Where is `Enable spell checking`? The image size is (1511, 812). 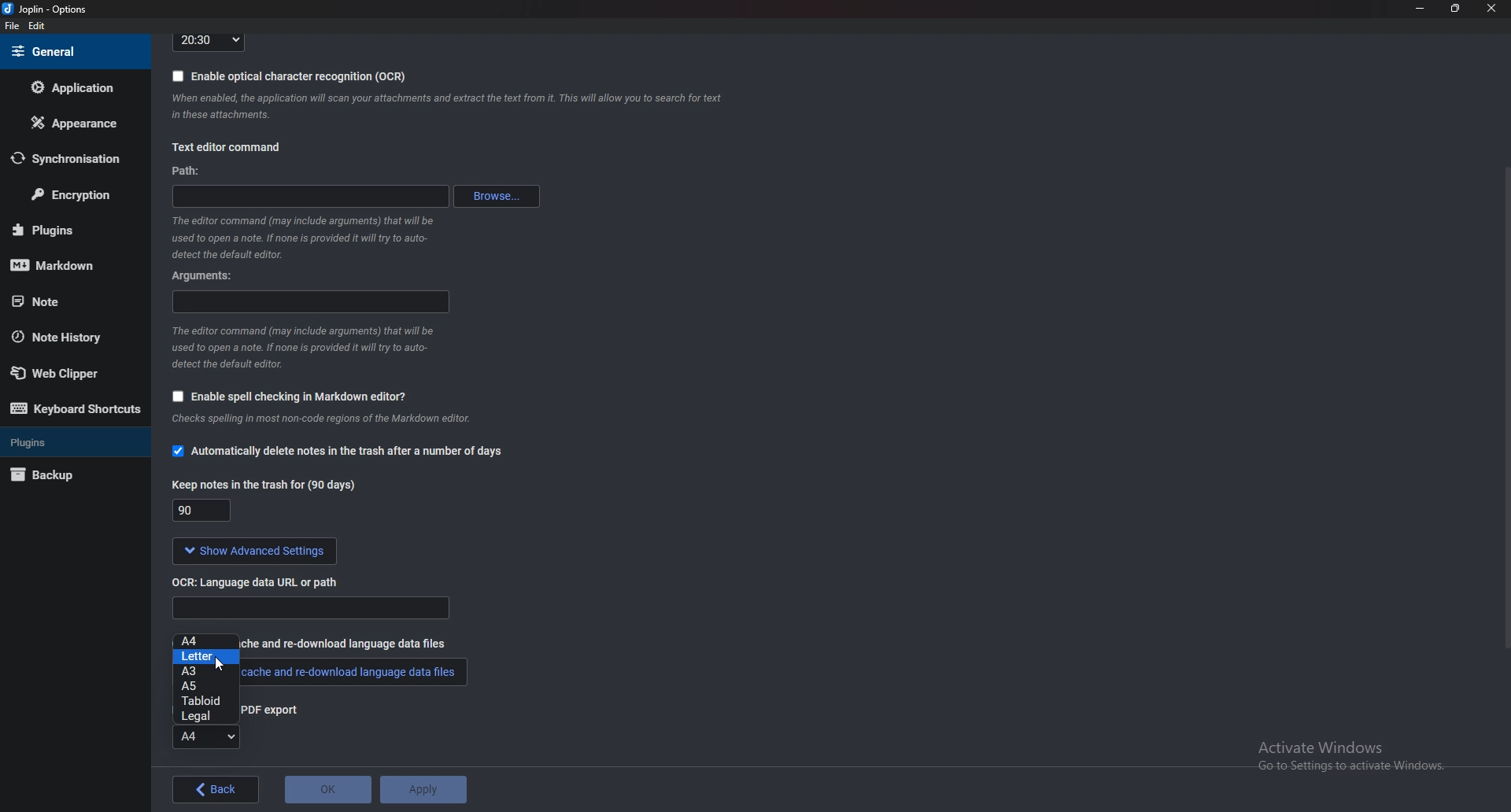
Enable spell checking is located at coordinates (285, 398).